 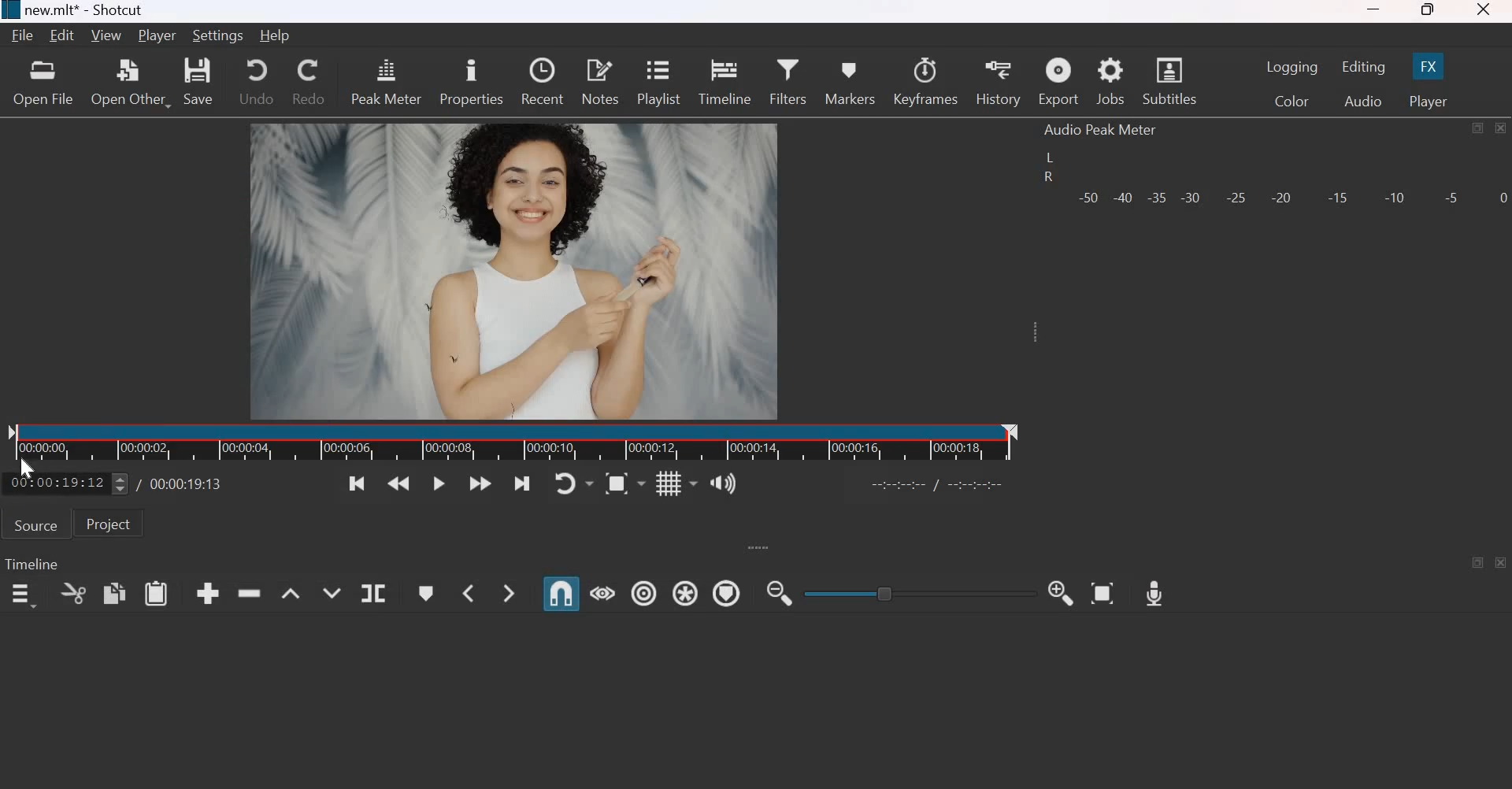 What do you see at coordinates (1293, 67) in the screenshot?
I see `Logging` at bounding box center [1293, 67].